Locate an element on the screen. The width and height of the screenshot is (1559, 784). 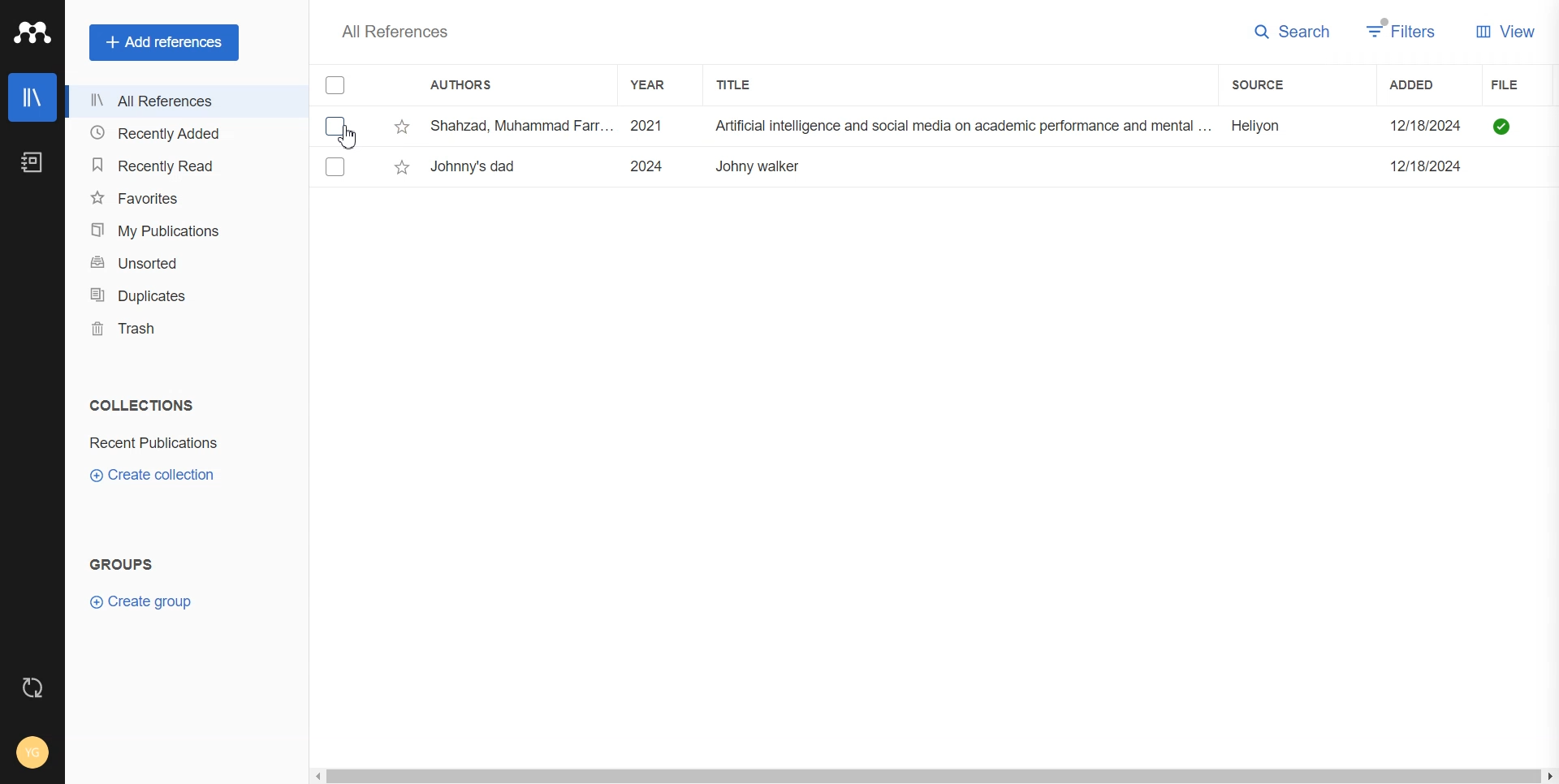
Folder is located at coordinates (157, 443).